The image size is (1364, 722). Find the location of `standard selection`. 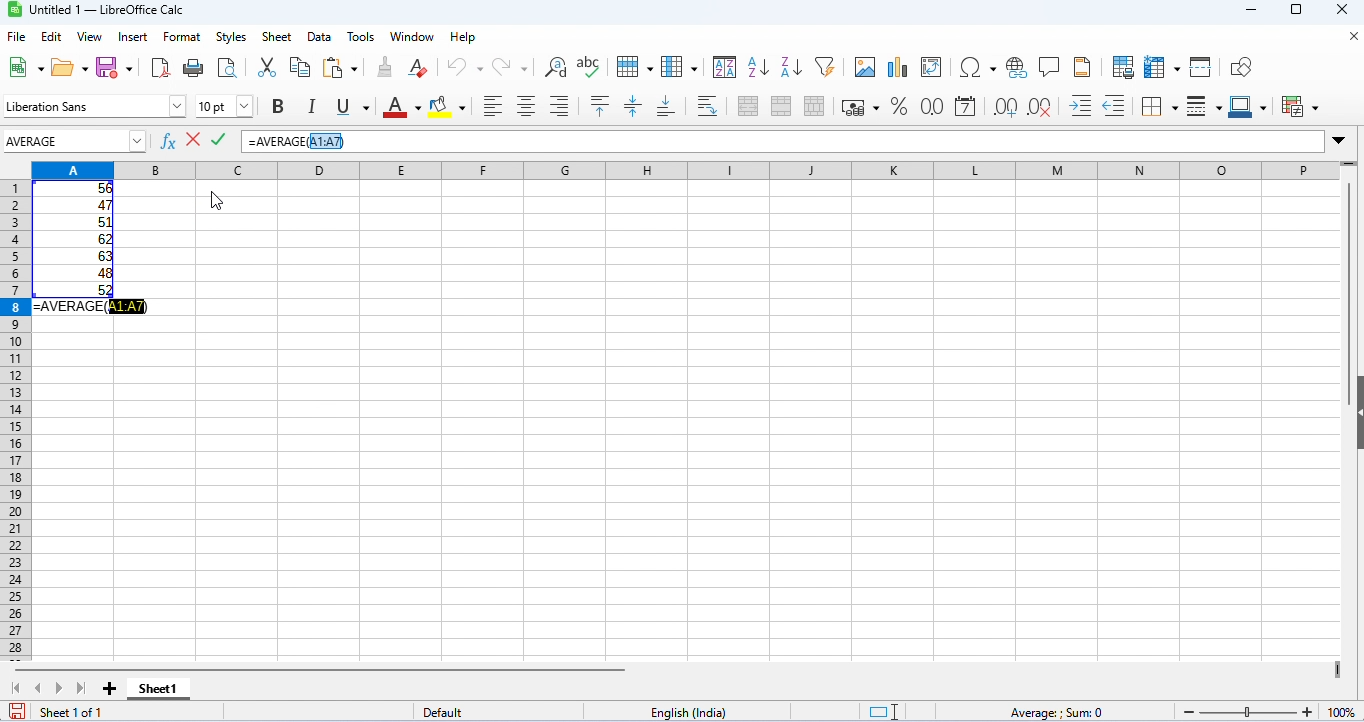

standard selection is located at coordinates (886, 712).